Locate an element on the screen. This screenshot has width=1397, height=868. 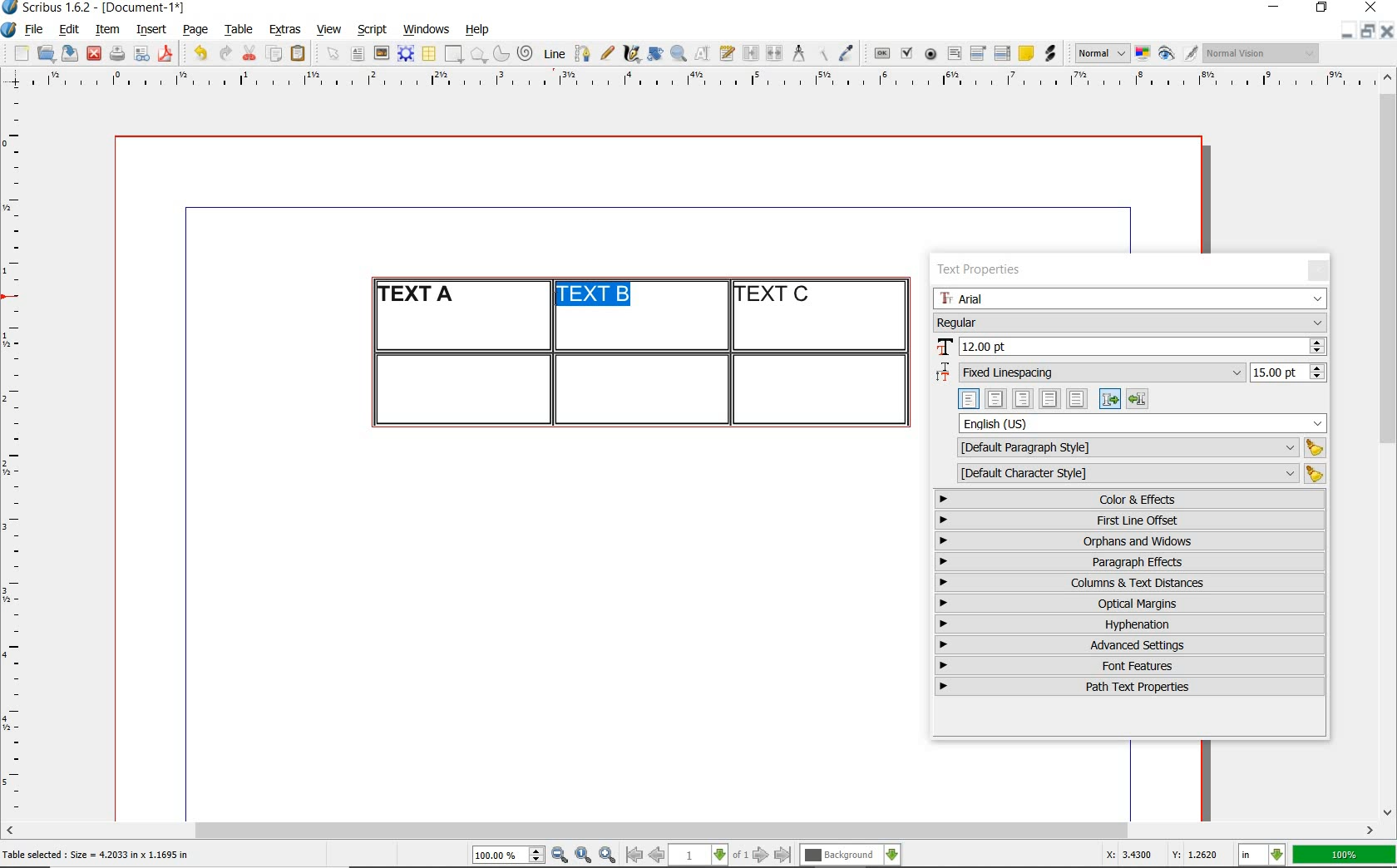
file is located at coordinates (36, 30).